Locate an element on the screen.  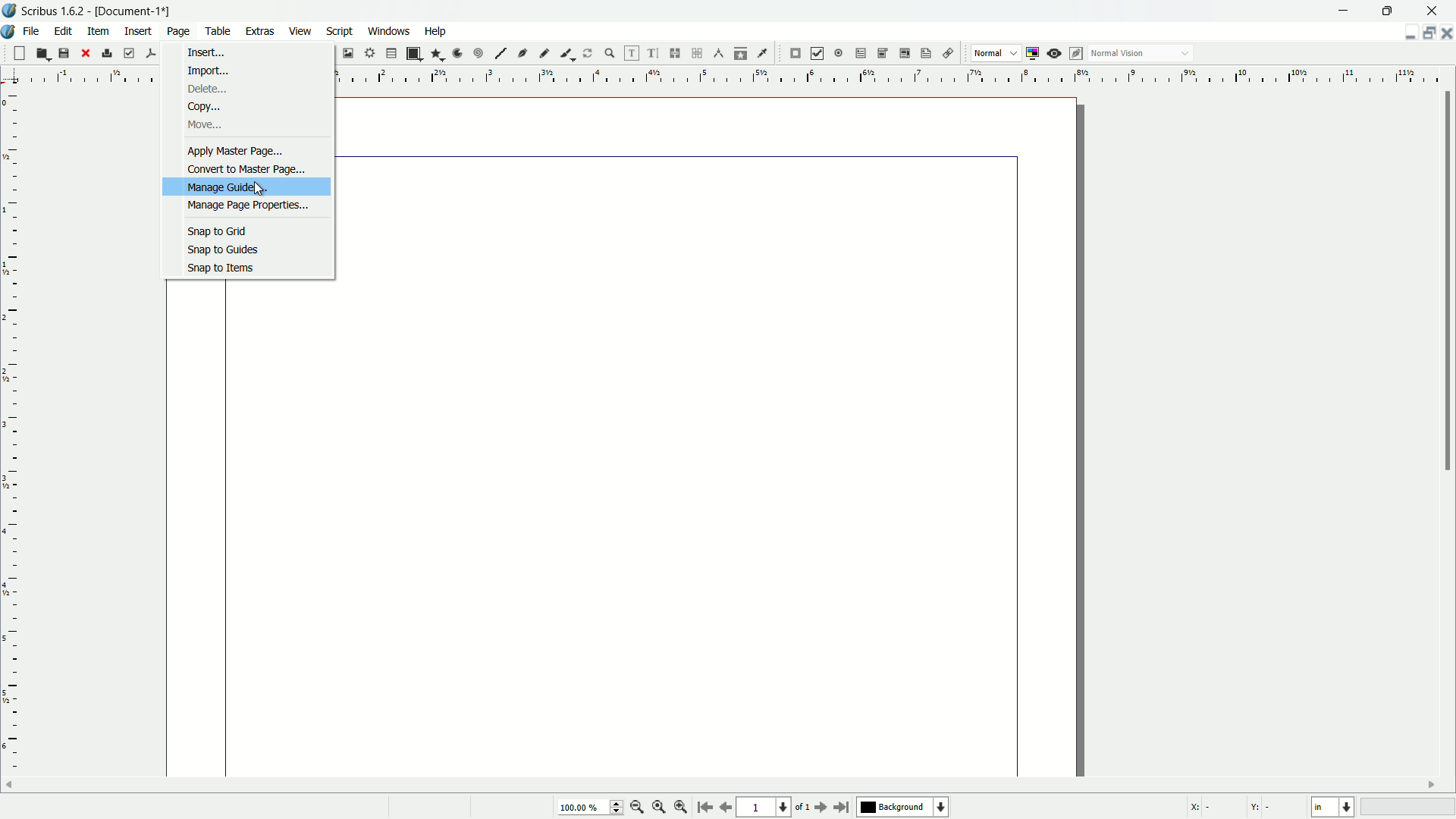
arc is located at coordinates (458, 53).